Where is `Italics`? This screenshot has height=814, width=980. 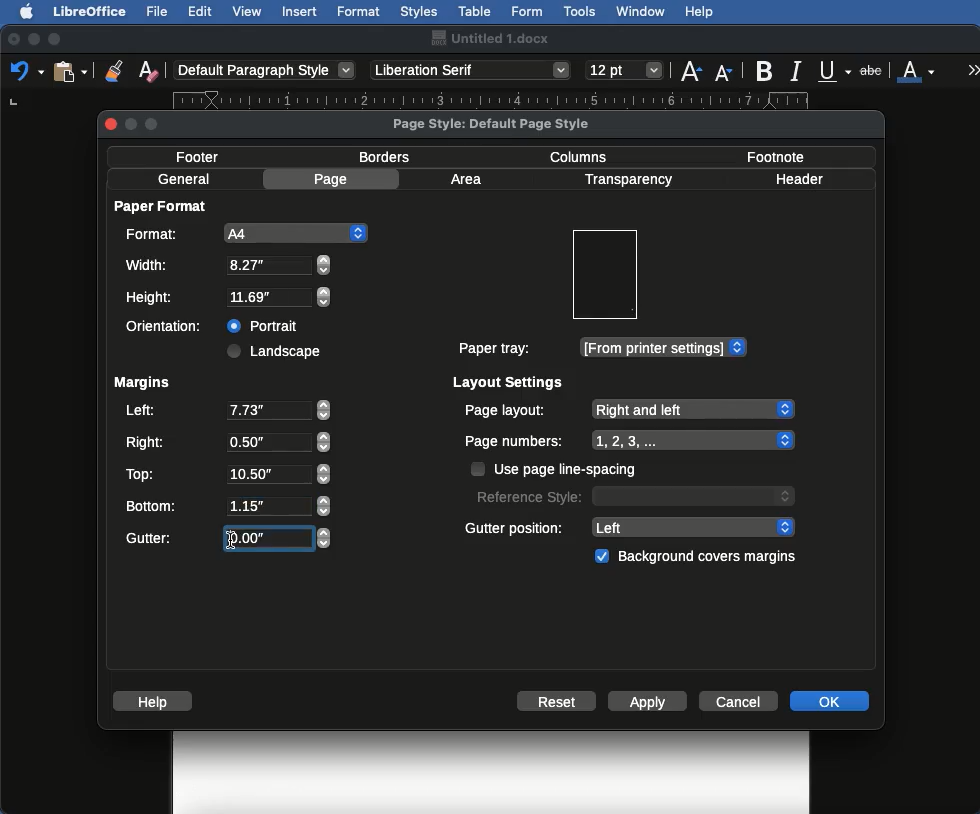
Italics is located at coordinates (799, 69).